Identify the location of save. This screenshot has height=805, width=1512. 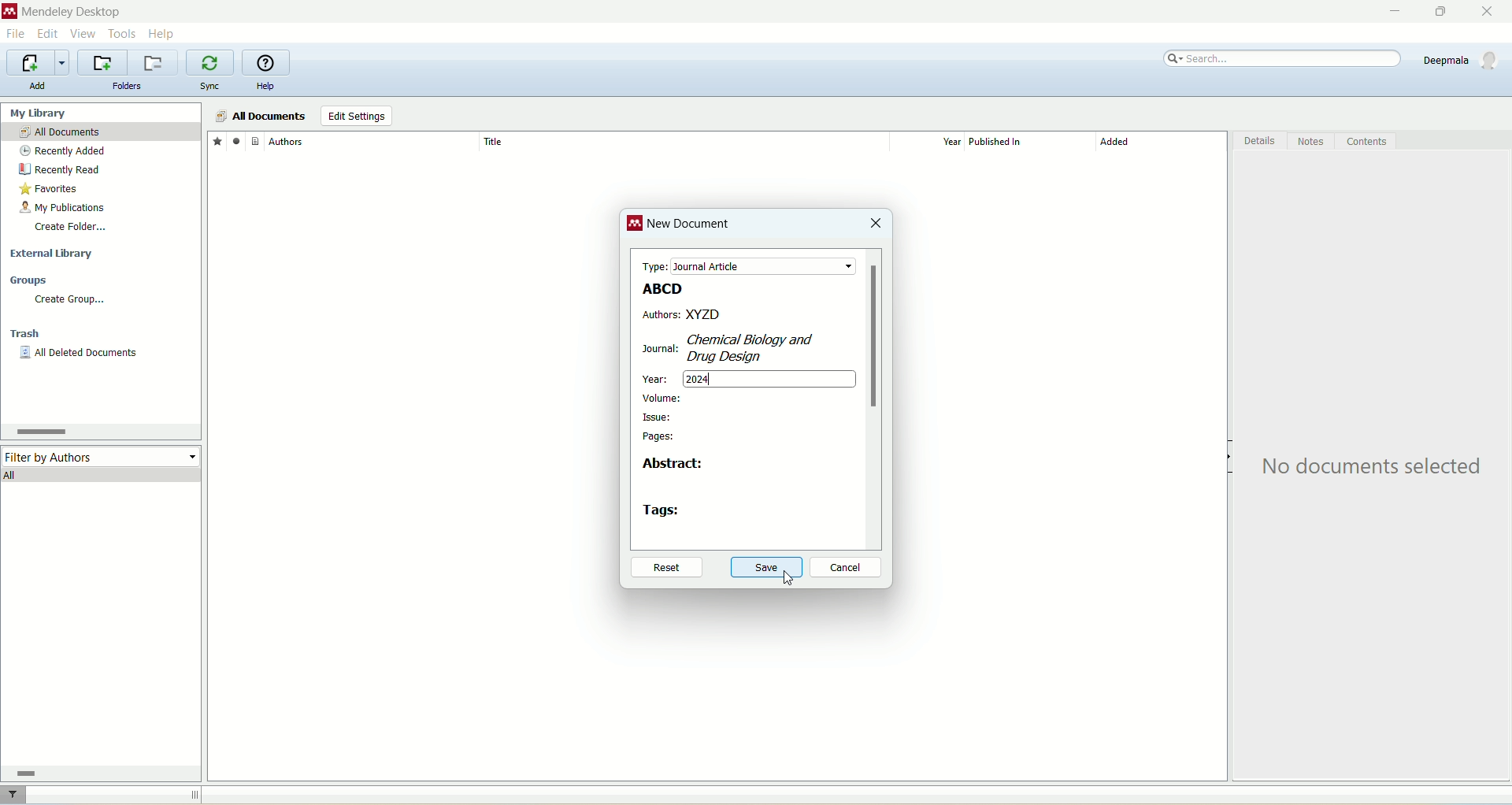
(769, 569).